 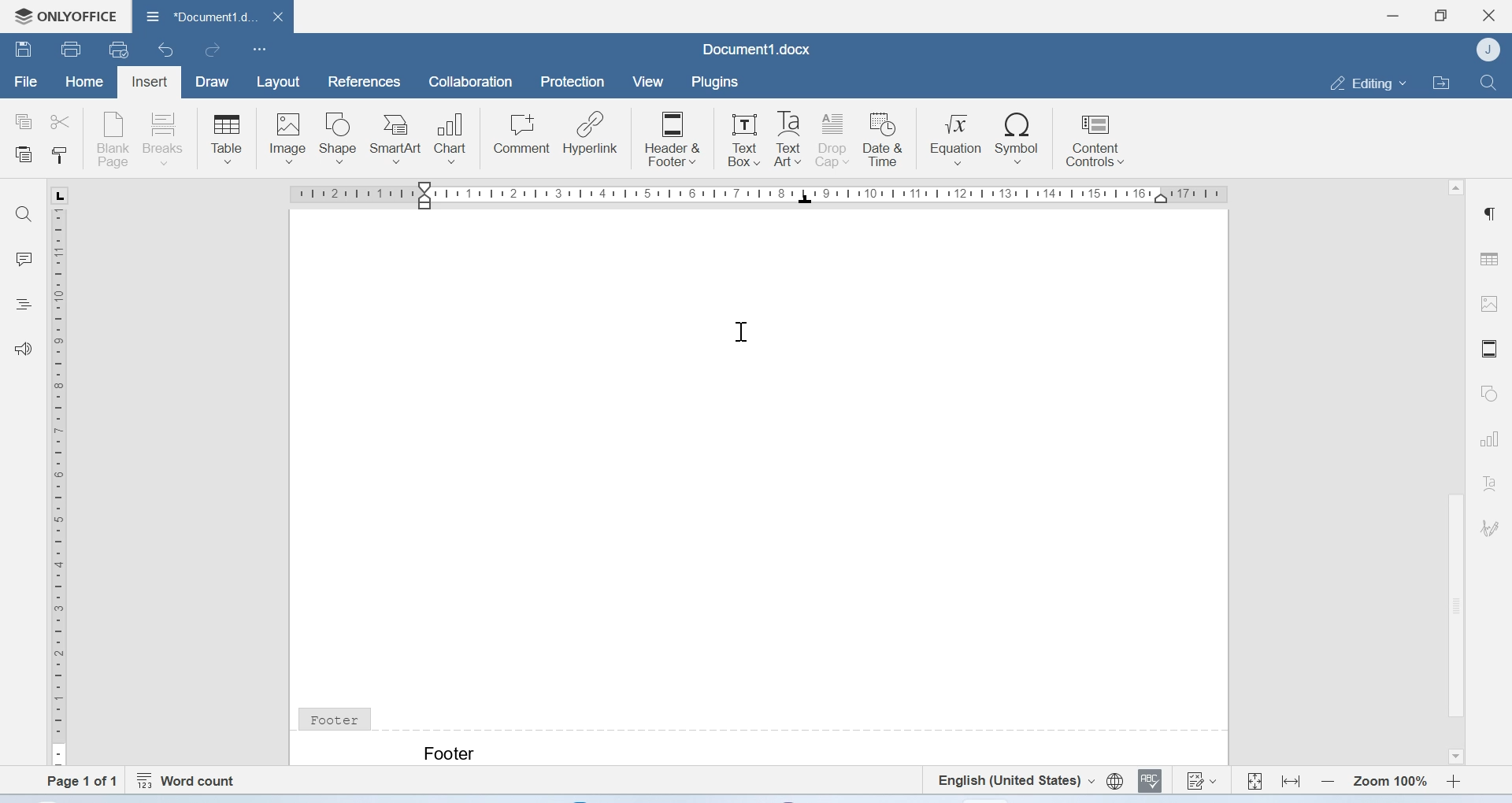 I want to click on Date & Time, so click(x=887, y=139).